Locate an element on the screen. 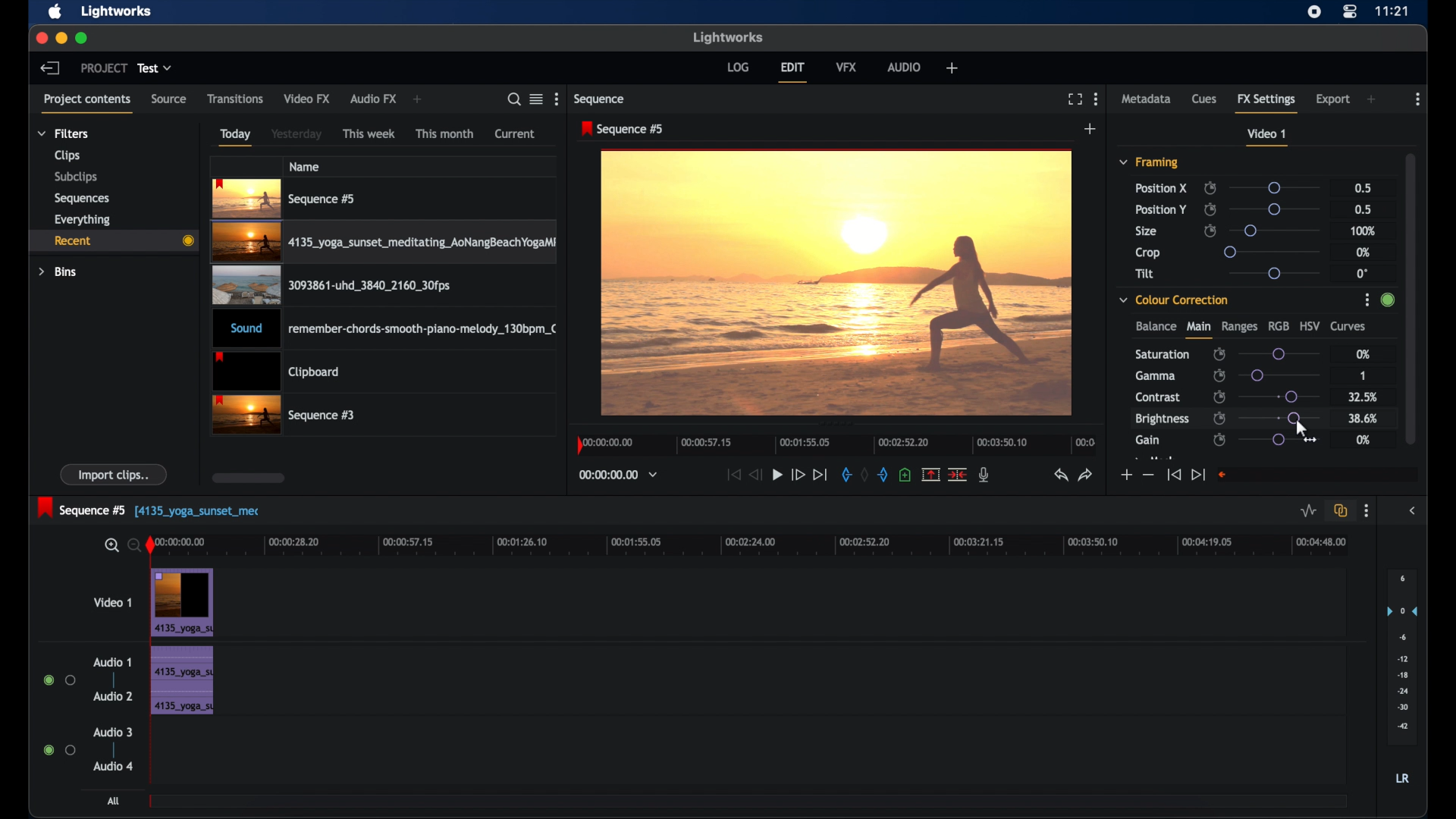  name is located at coordinates (306, 166).